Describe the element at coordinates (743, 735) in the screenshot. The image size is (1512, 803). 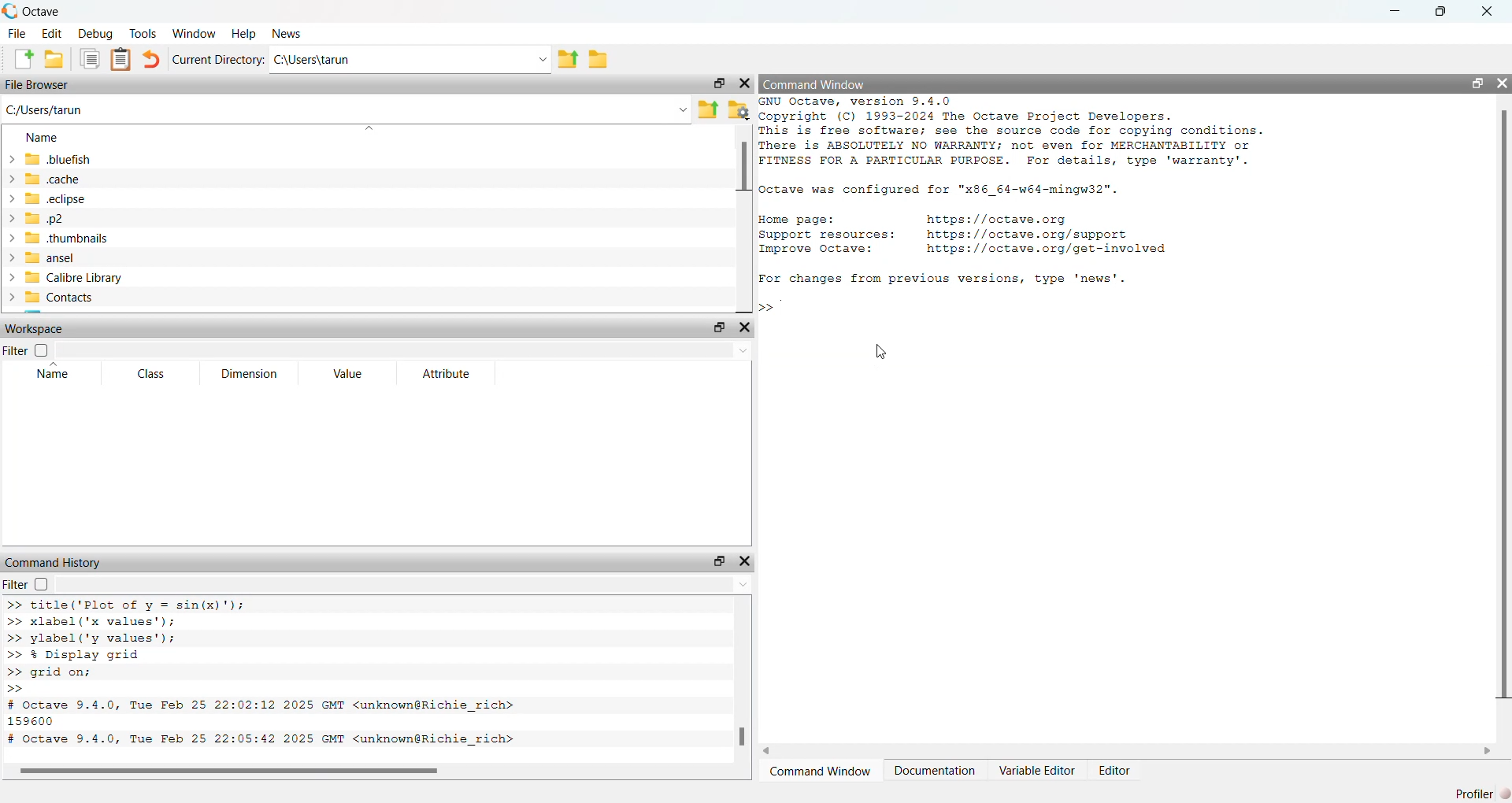
I see `scroll bar` at that location.